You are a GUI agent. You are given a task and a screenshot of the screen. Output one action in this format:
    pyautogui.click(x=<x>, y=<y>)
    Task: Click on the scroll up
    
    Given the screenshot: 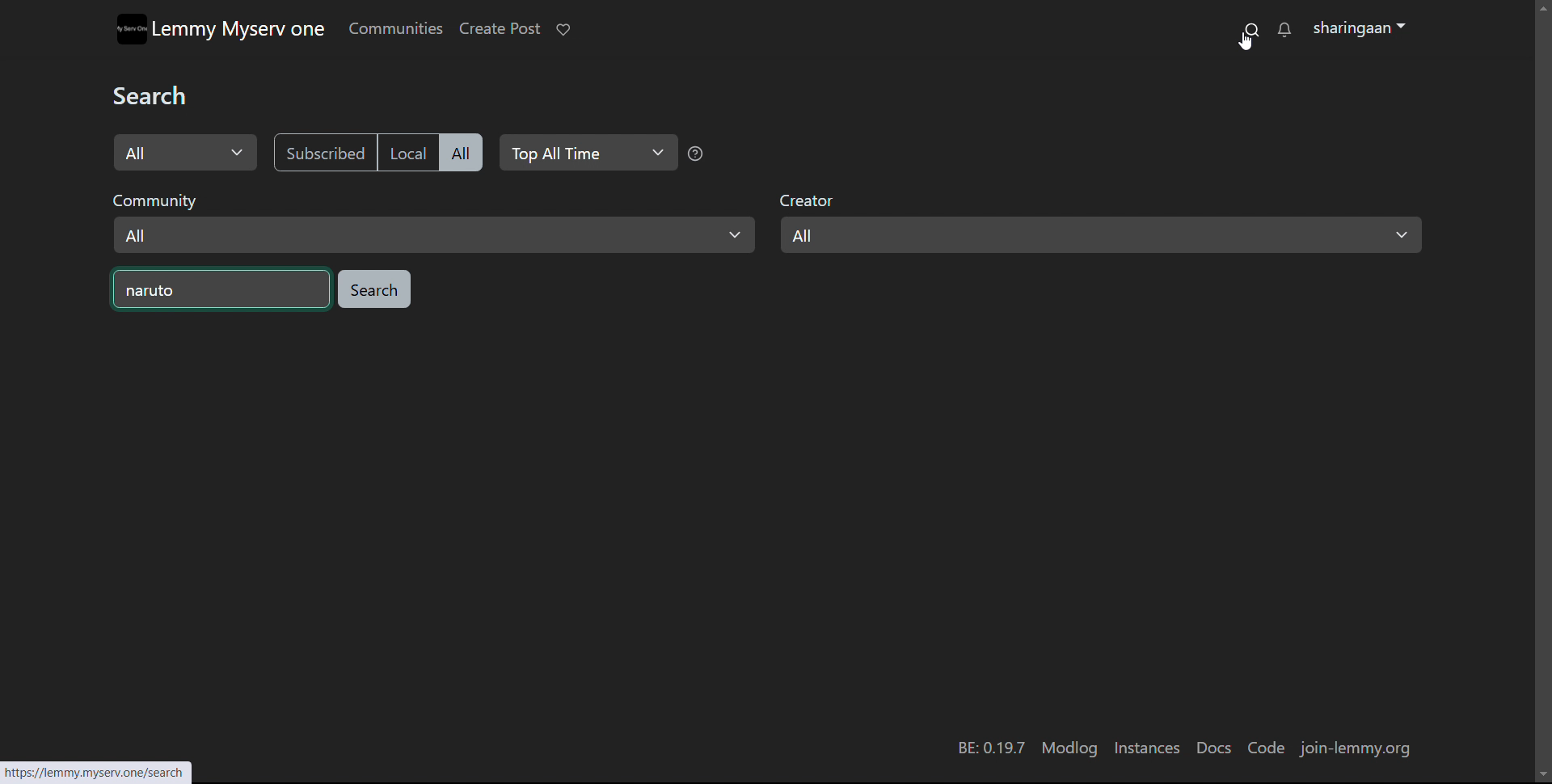 What is the action you would take?
    pyautogui.click(x=1541, y=6)
    